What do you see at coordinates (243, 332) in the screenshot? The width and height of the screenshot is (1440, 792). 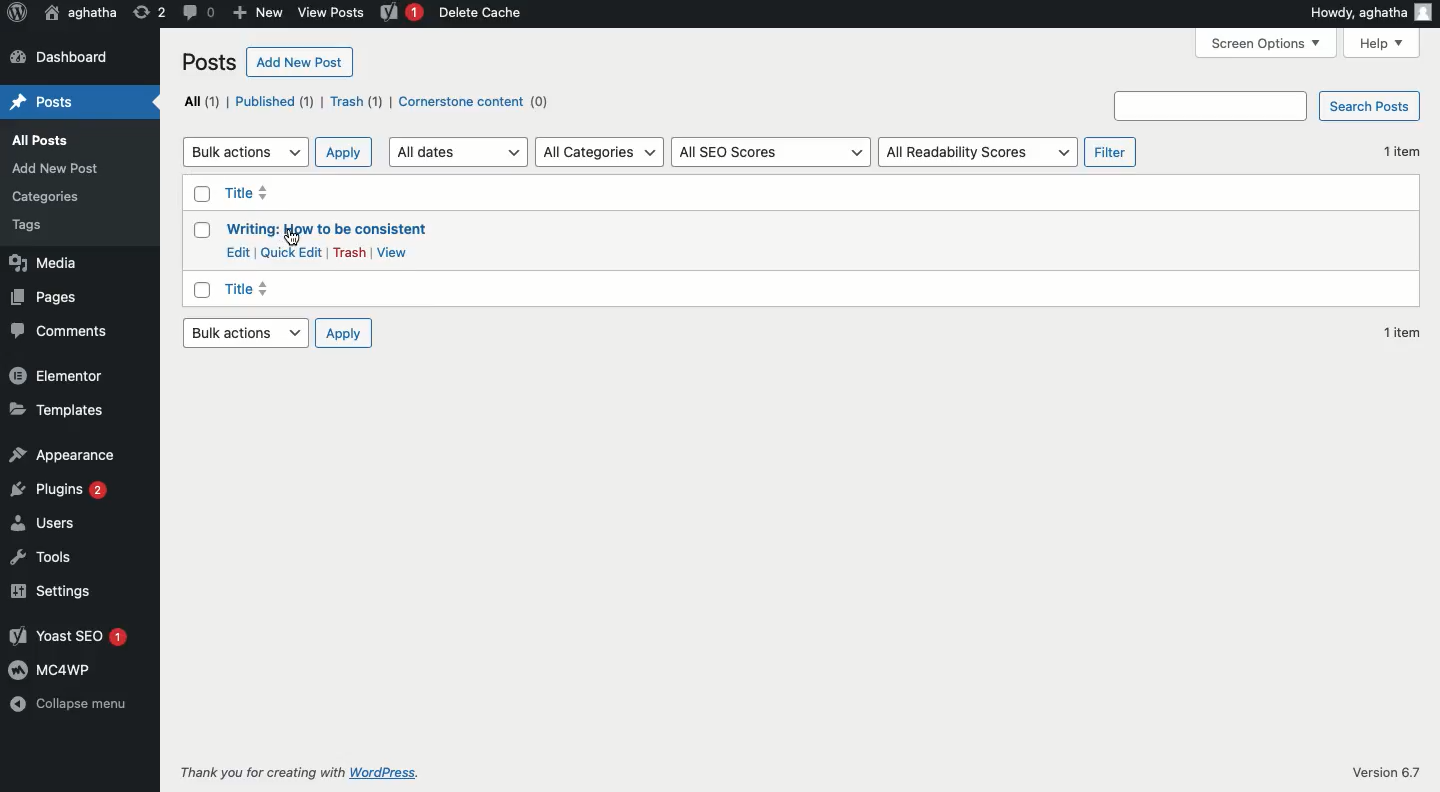 I see `Bulk actions` at bounding box center [243, 332].